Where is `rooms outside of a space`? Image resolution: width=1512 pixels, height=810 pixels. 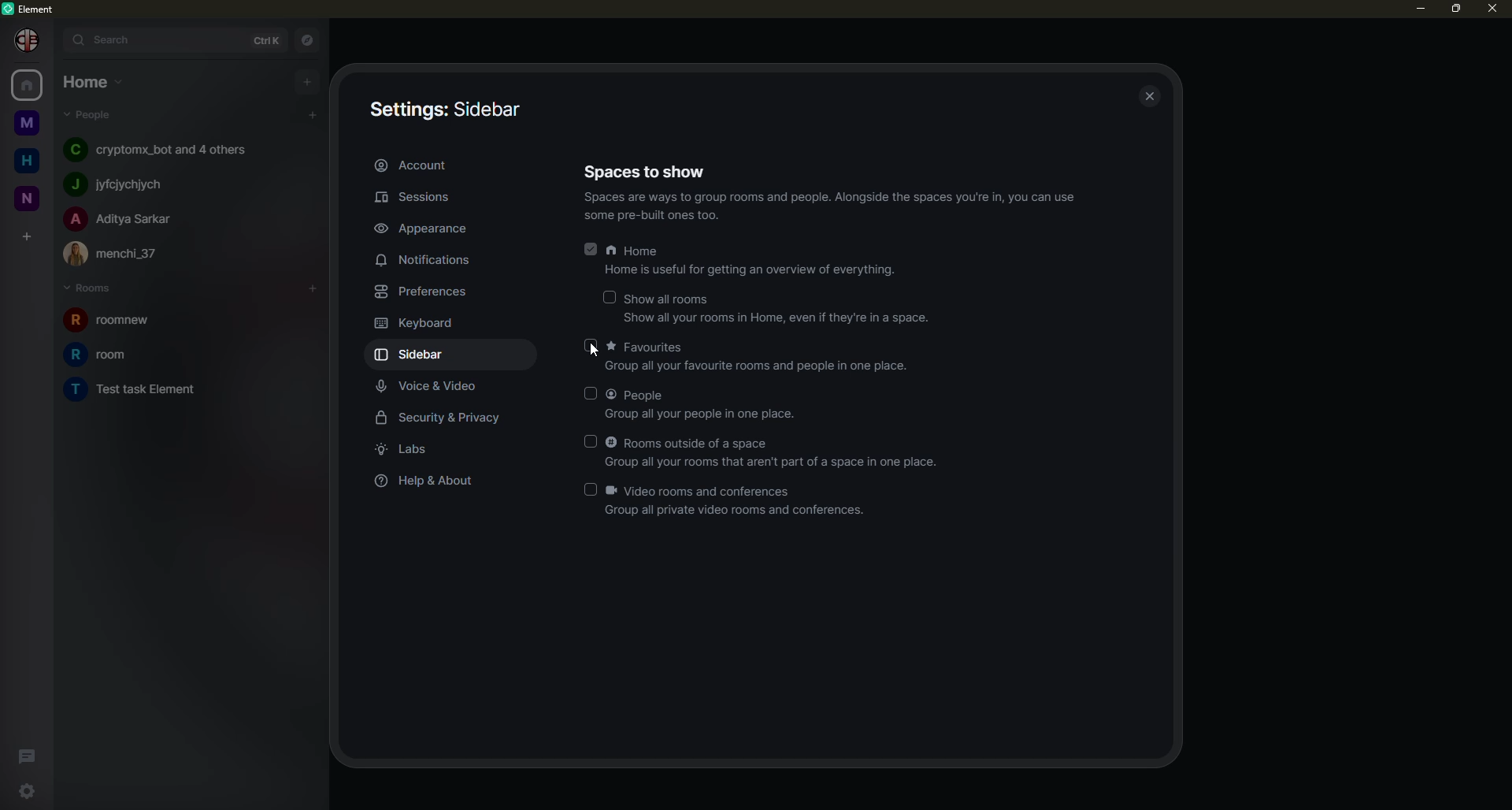 rooms outside of a space is located at coordinates (776, 452).